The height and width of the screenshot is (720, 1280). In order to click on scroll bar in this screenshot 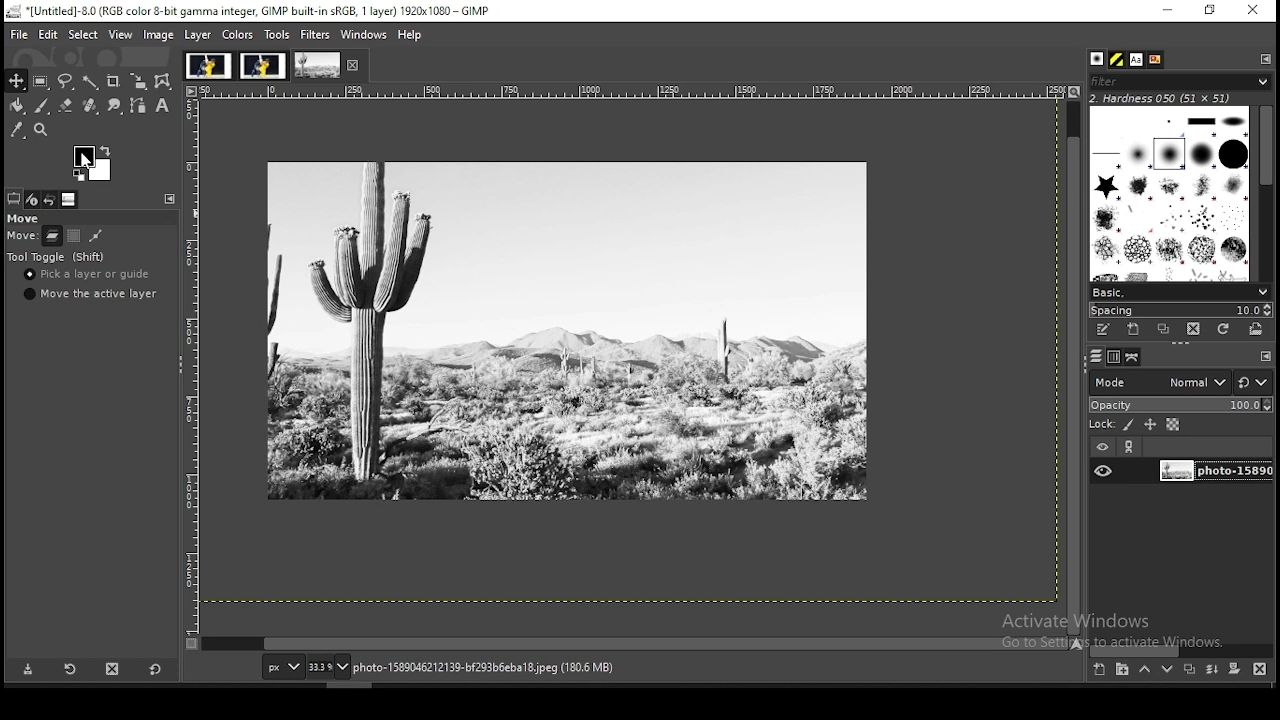, I will do `click(636, 644)`.